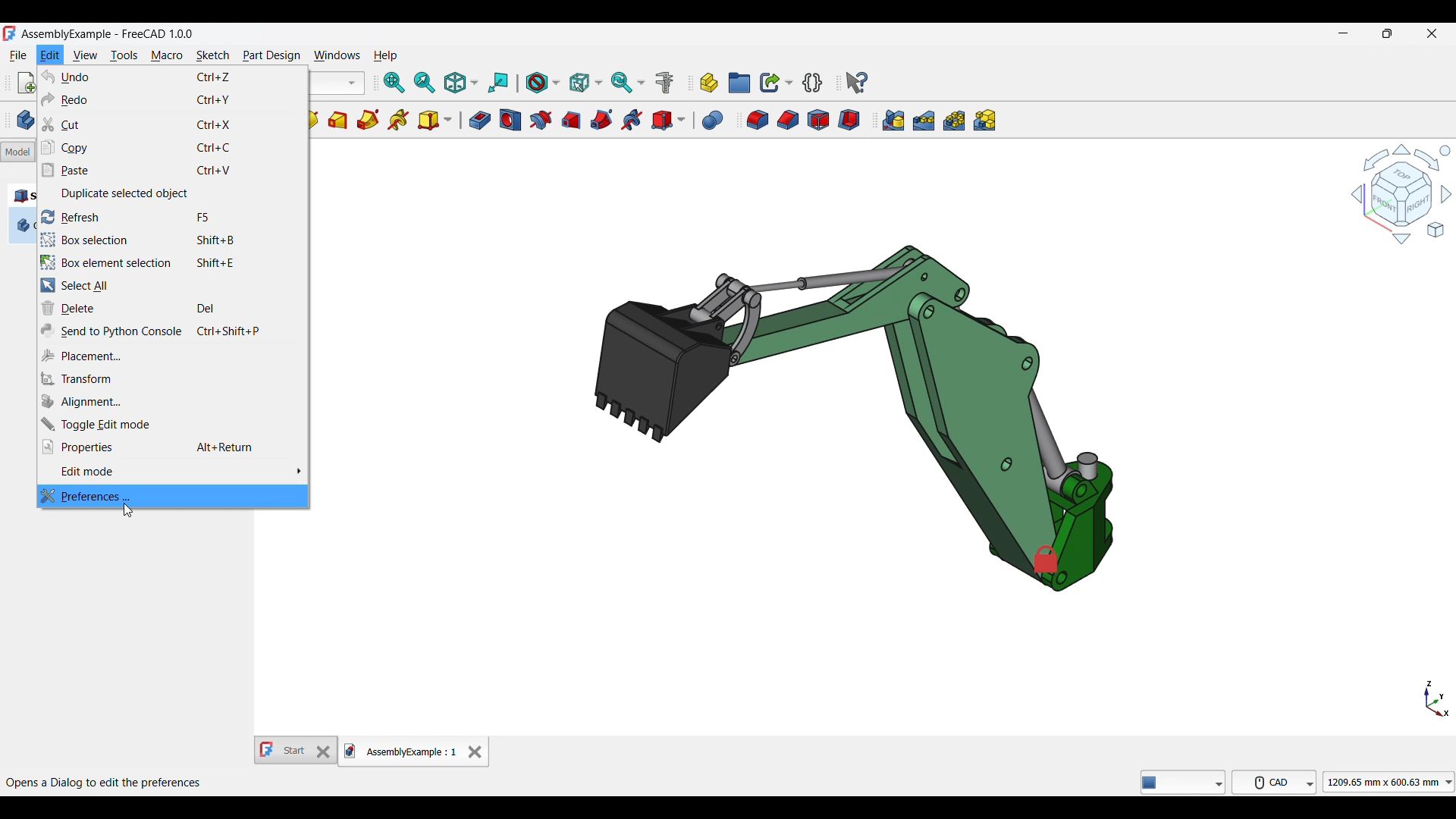  Describe the element at coordinates (296, 750) in the screenshot. I see `Start` at that location.